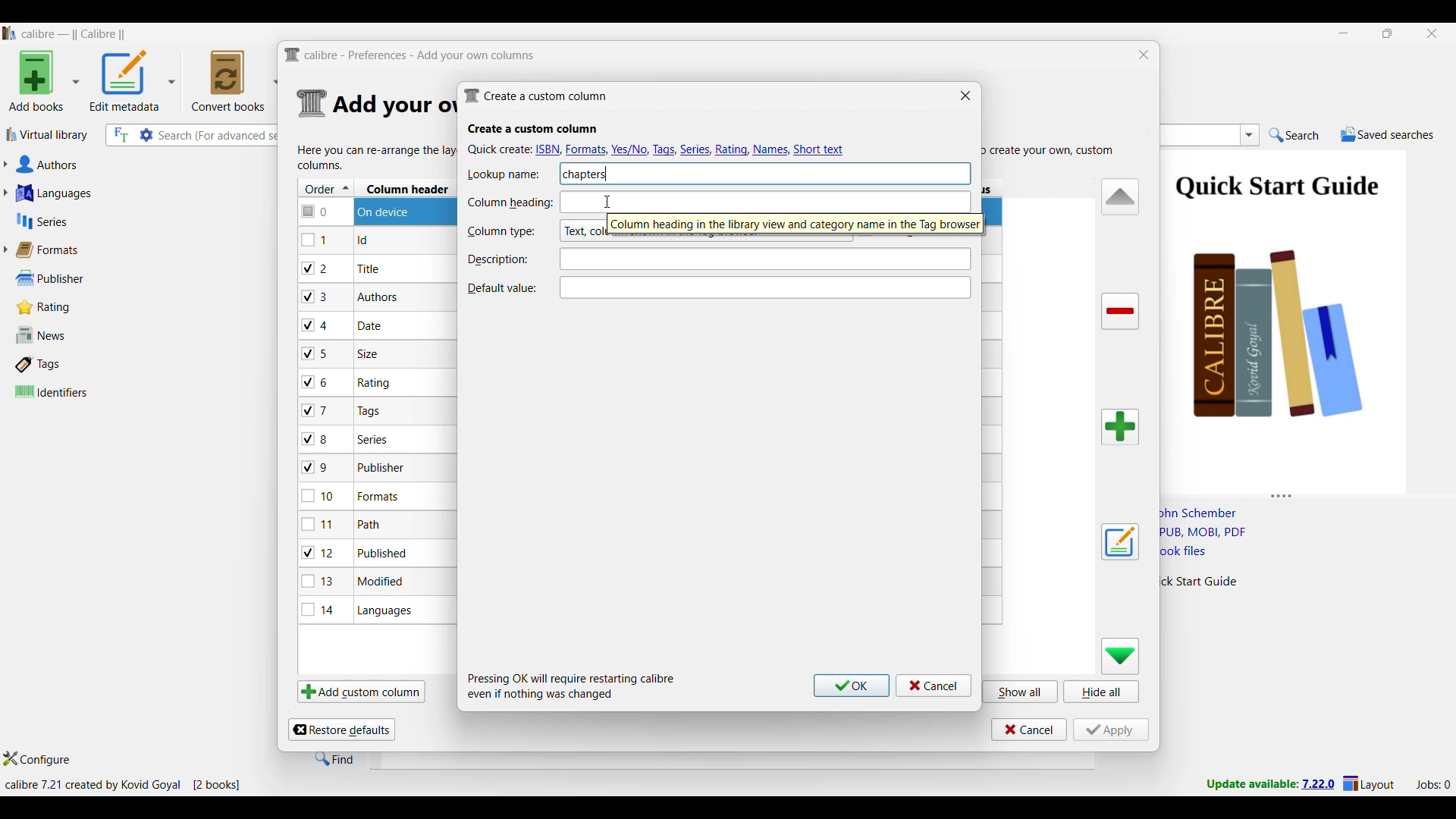  I want to click on Add book options, so click(45, 80).